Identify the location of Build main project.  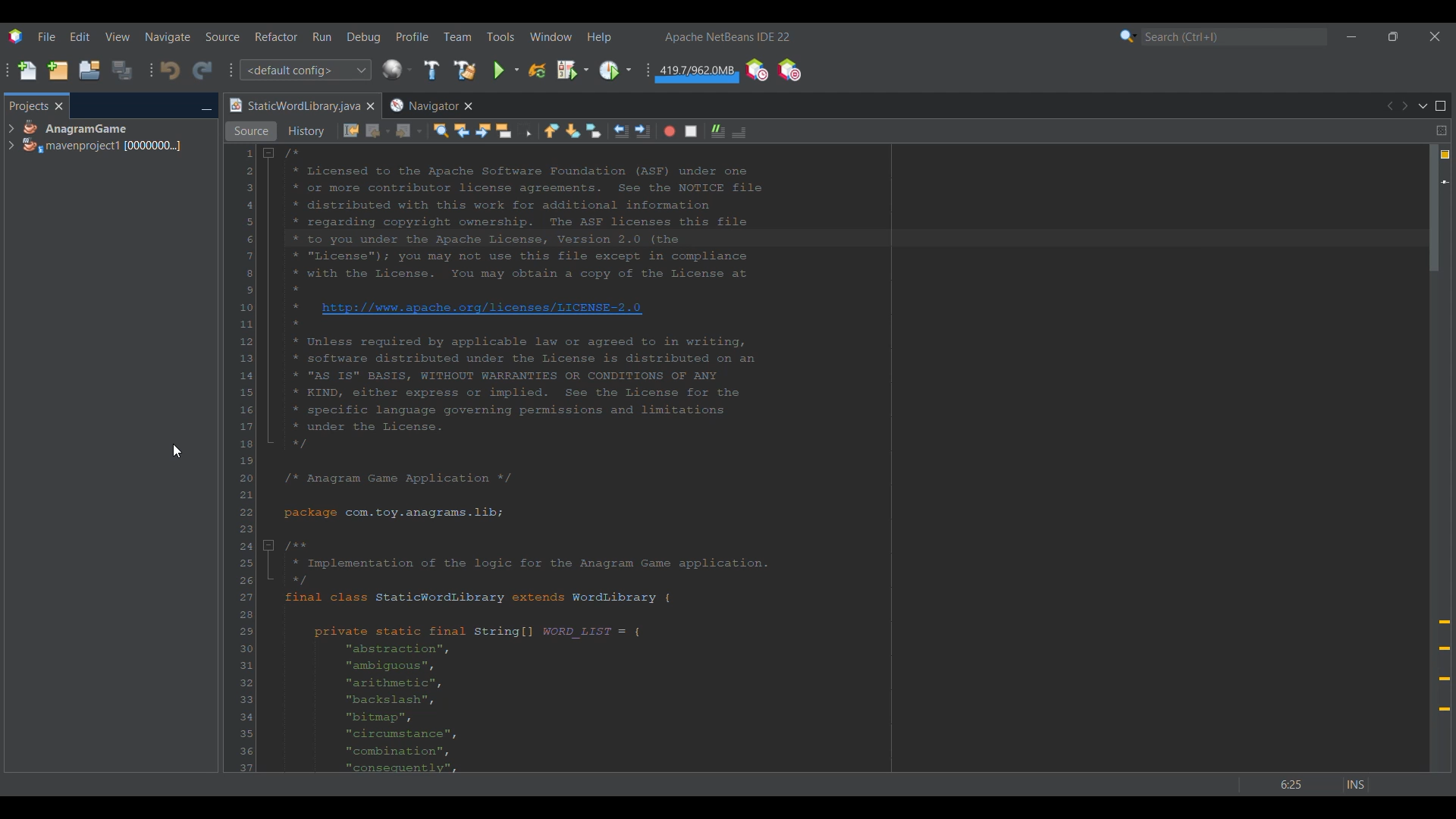
(431, 70).